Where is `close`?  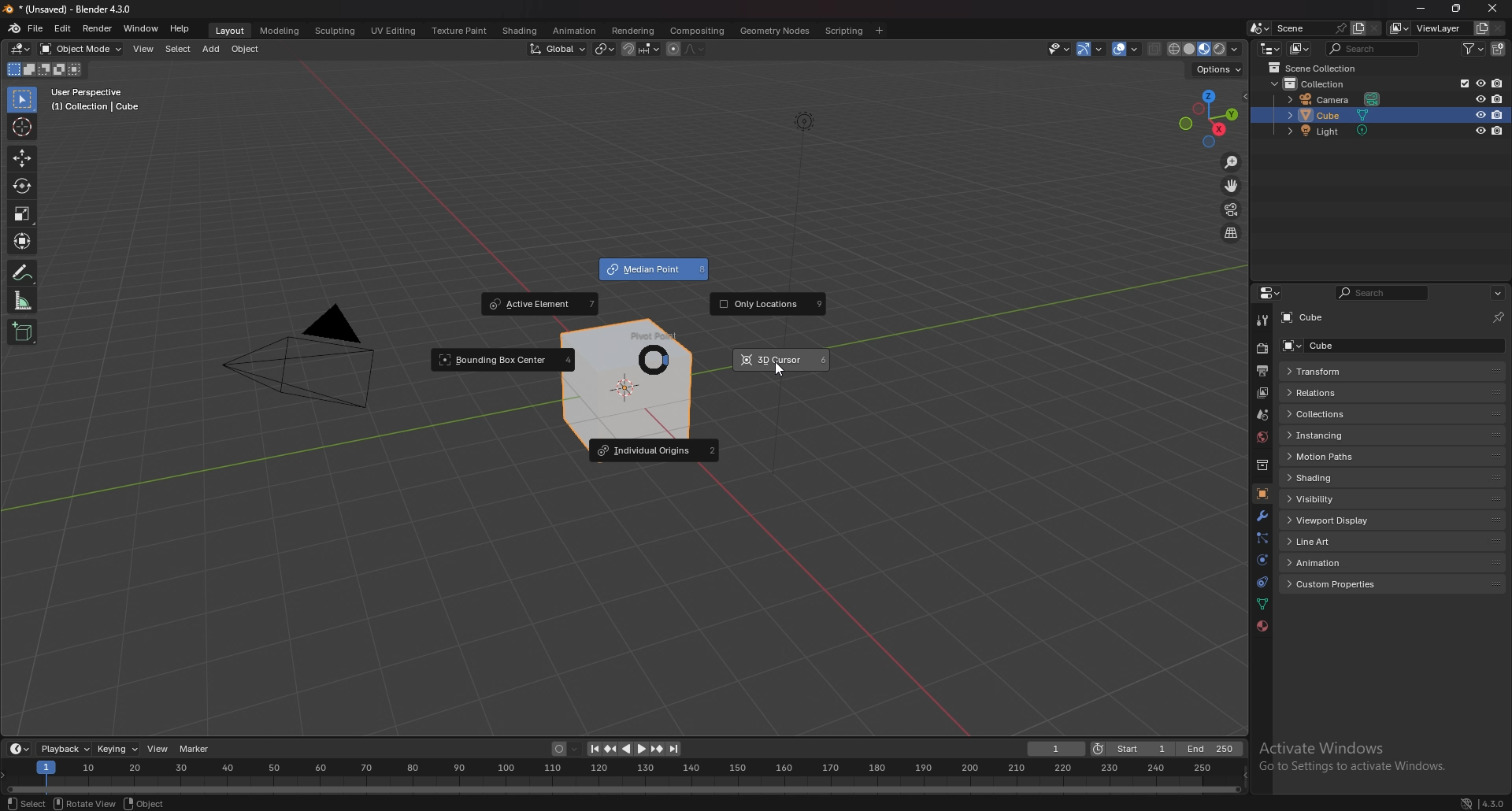
close is located at coordinates (1495, 8).